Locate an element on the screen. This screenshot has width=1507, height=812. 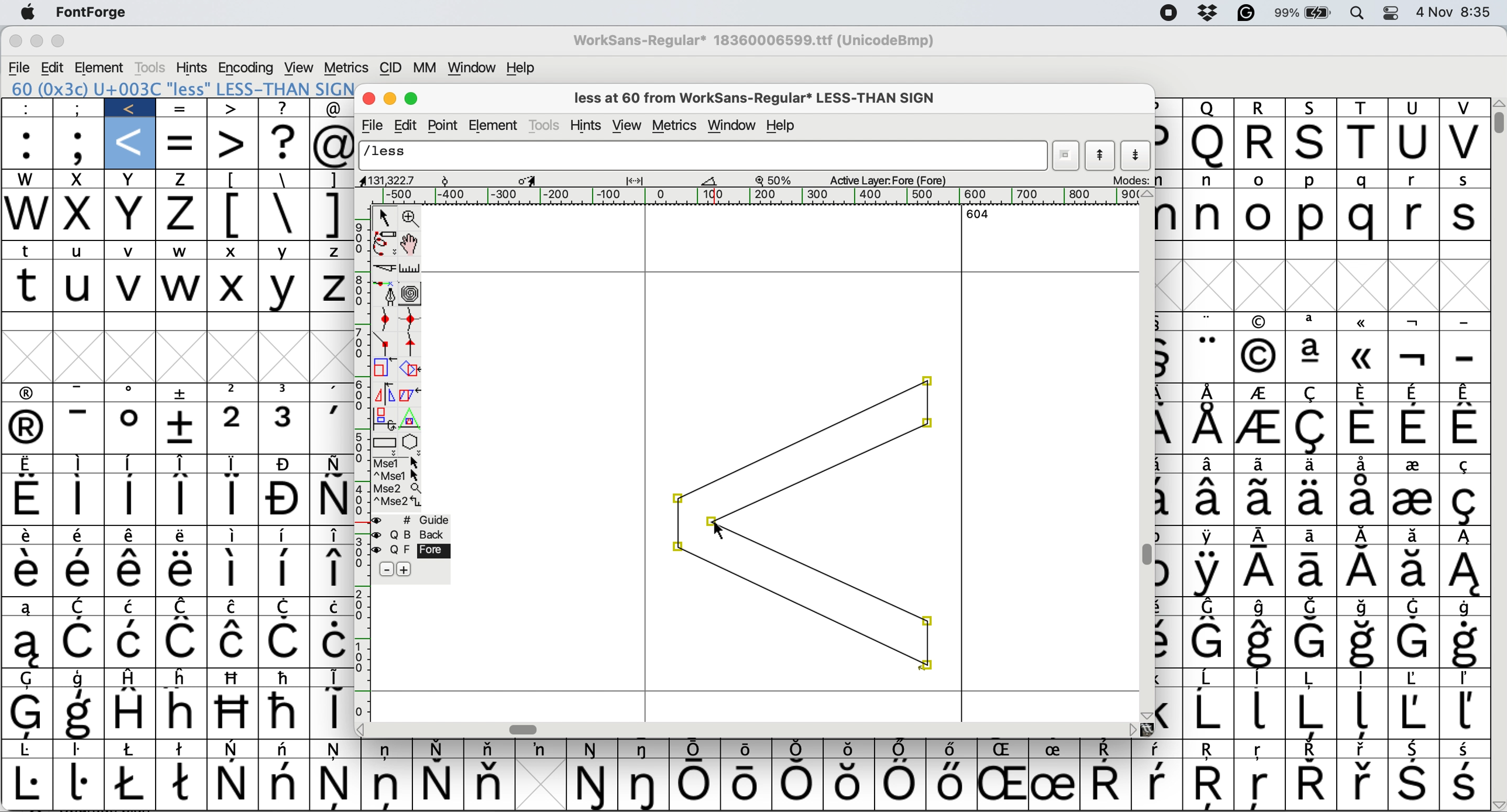
back is located at coordinates (412, 534).